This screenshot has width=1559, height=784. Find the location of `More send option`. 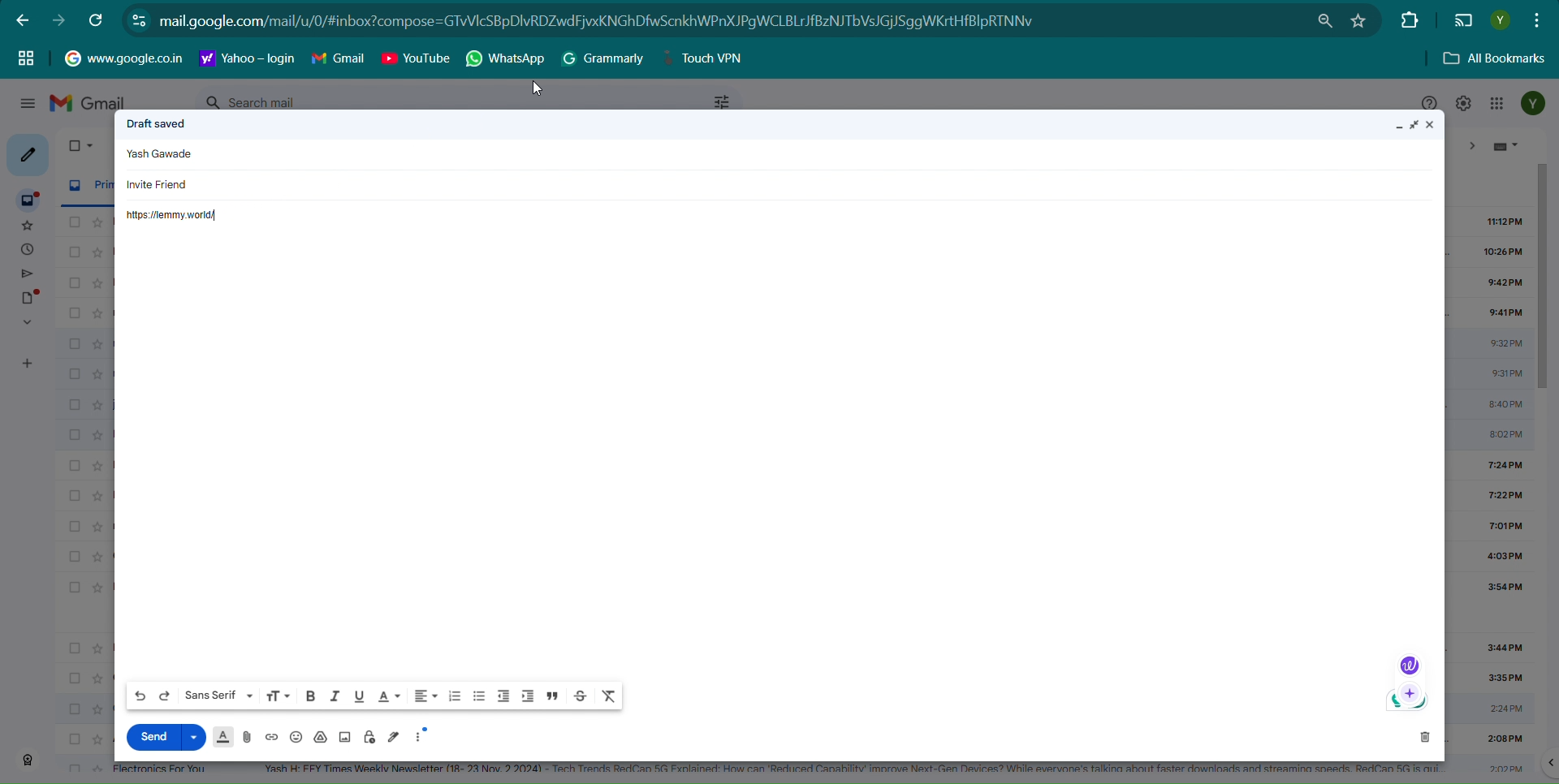

More send option is located at coordinates (195, 736).